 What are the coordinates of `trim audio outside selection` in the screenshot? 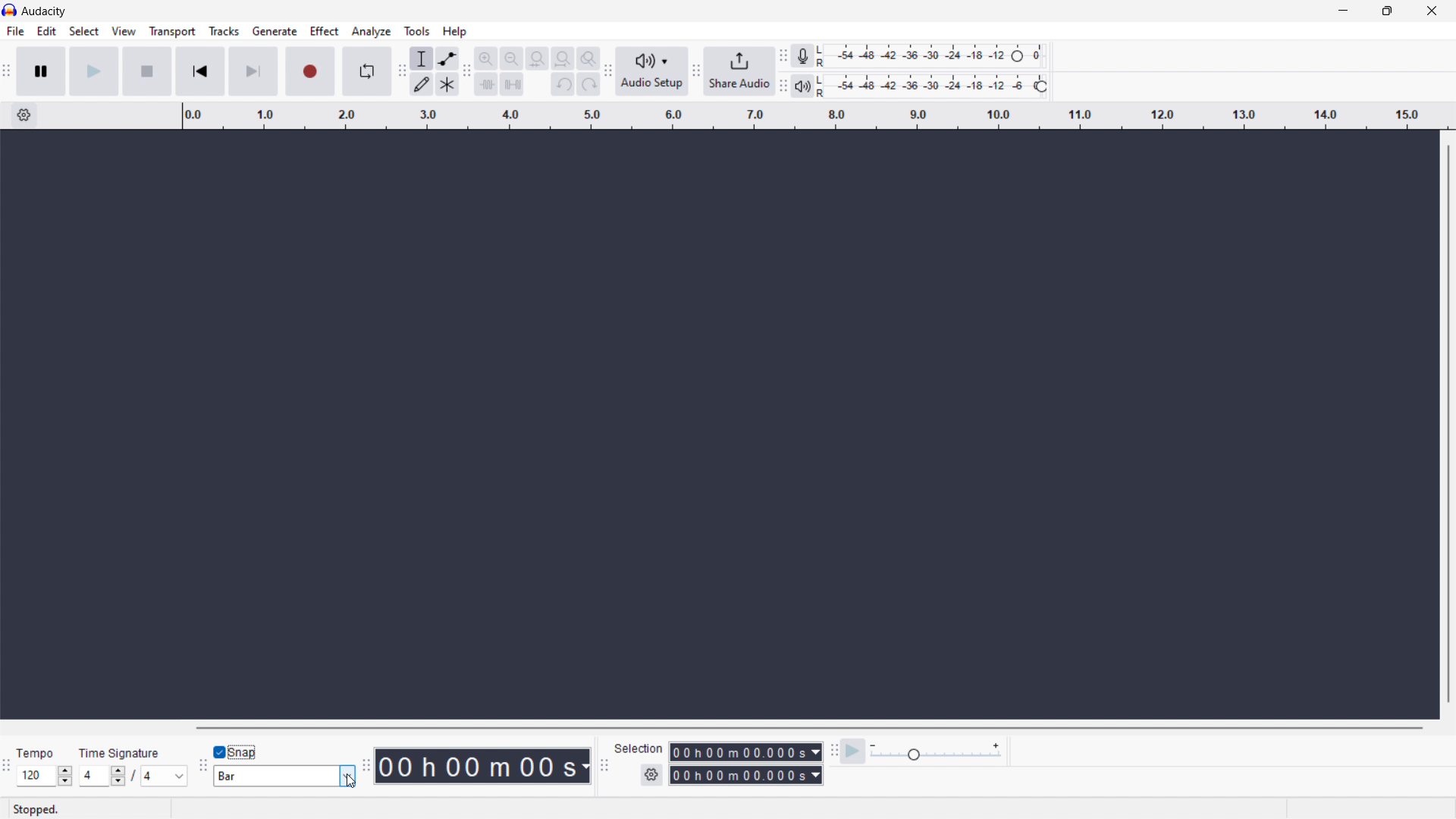 It's located at (487, 83).